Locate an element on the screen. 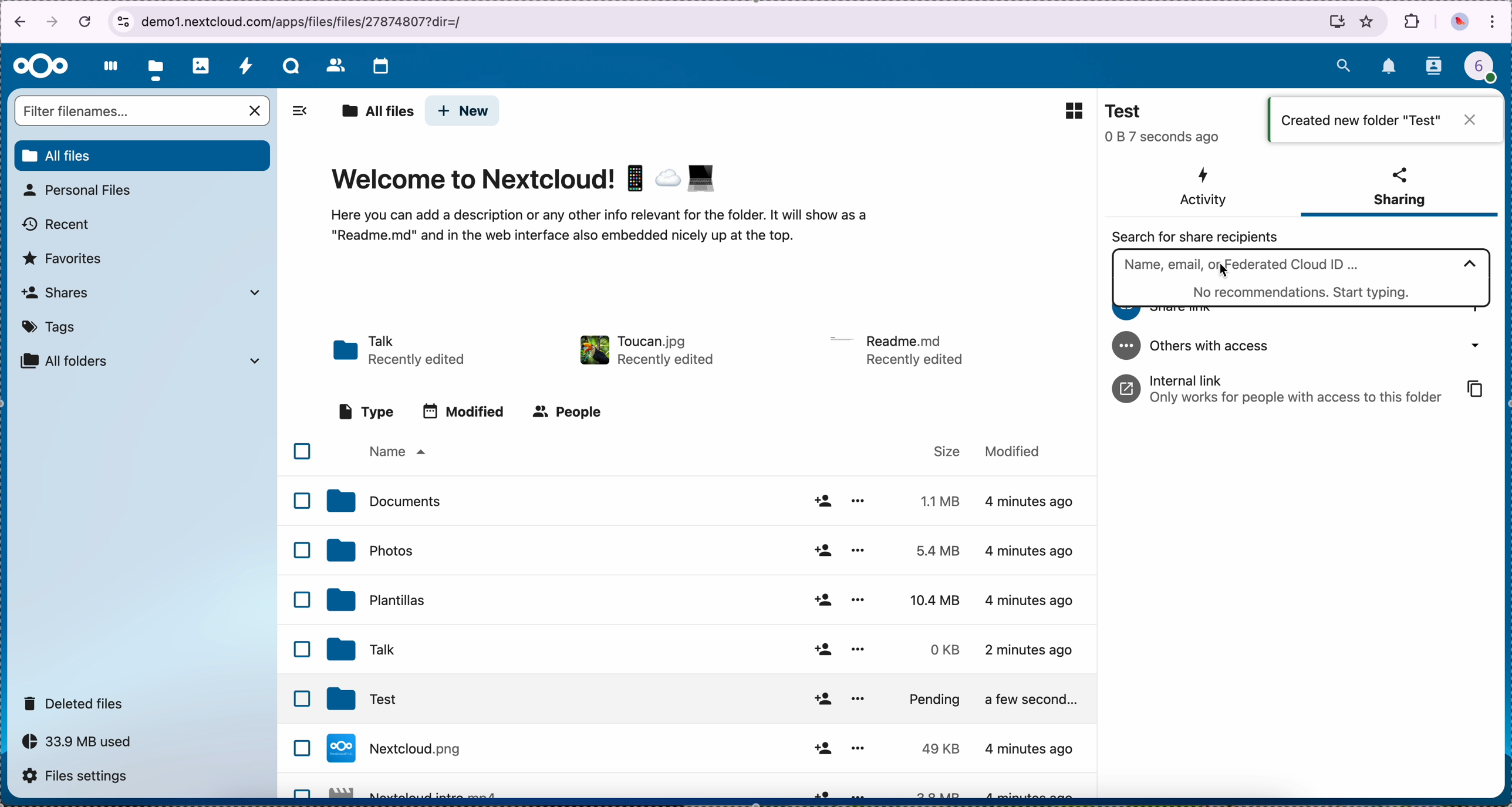 This screenshot has height=807, width=1512. checkboxes is located at coordinates (296, 614).